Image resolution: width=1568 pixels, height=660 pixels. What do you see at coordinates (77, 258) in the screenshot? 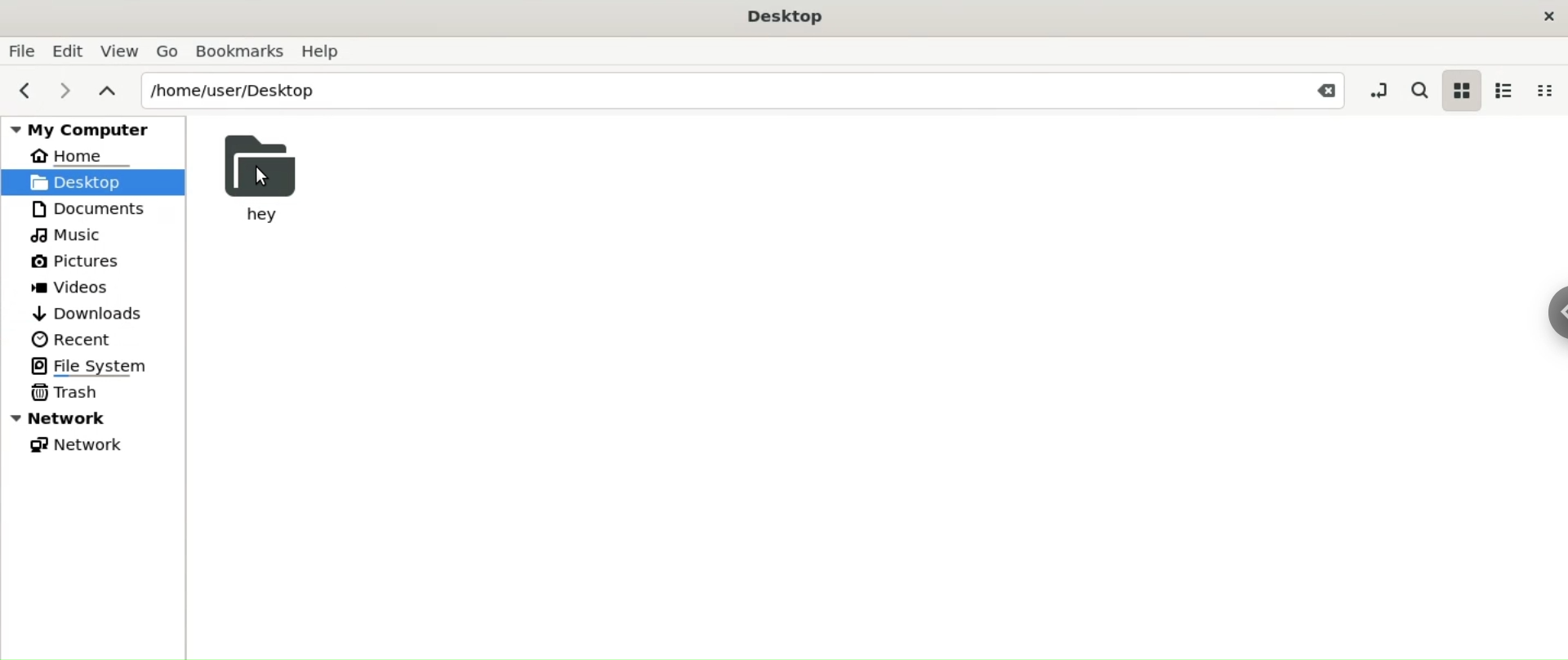
I see `Pictures` at bounding box center [77, 258].